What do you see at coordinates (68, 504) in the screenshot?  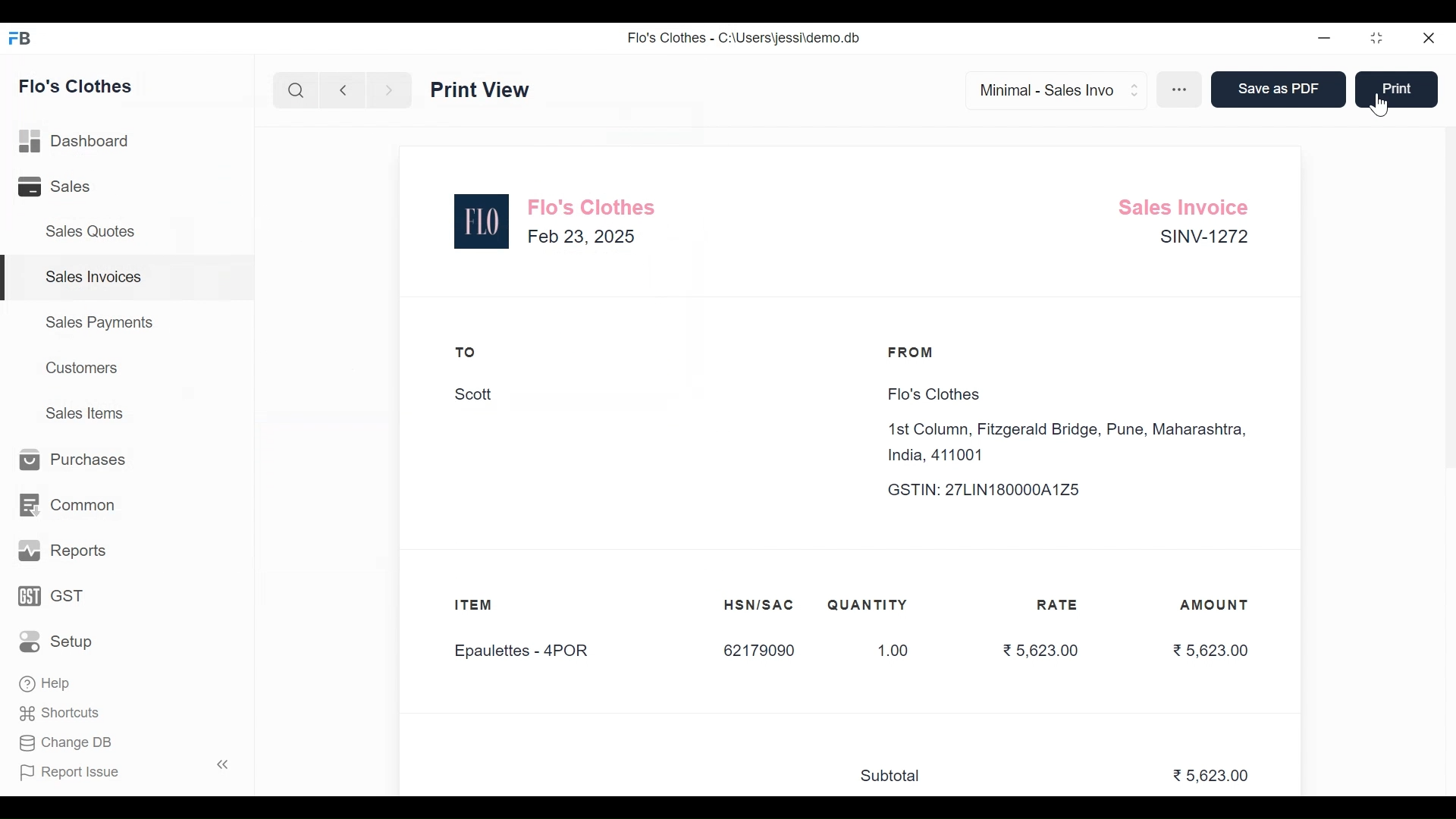 I see `Common` at bounding box center [68, 504].